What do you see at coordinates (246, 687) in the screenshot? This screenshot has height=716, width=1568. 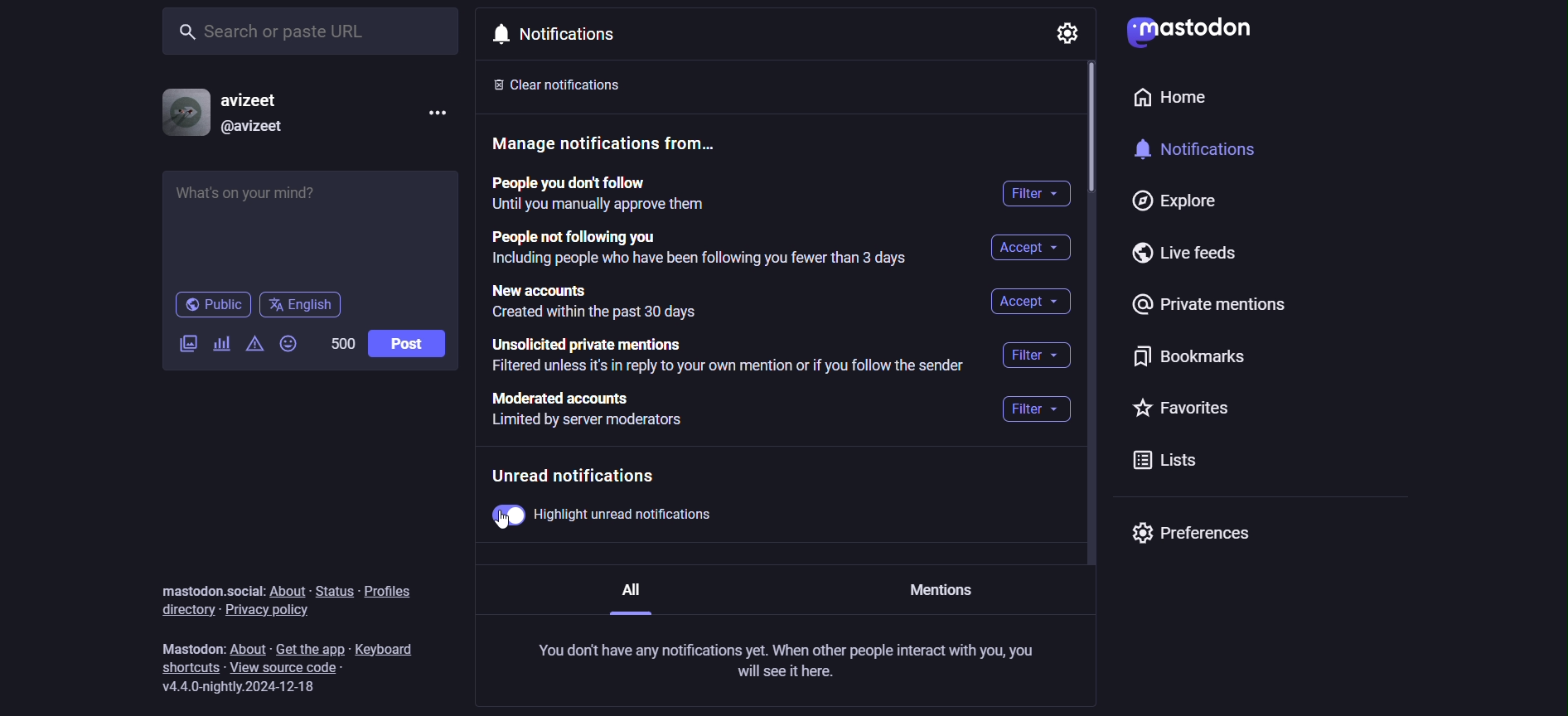 I see `version` at bounding box center [246, 687].